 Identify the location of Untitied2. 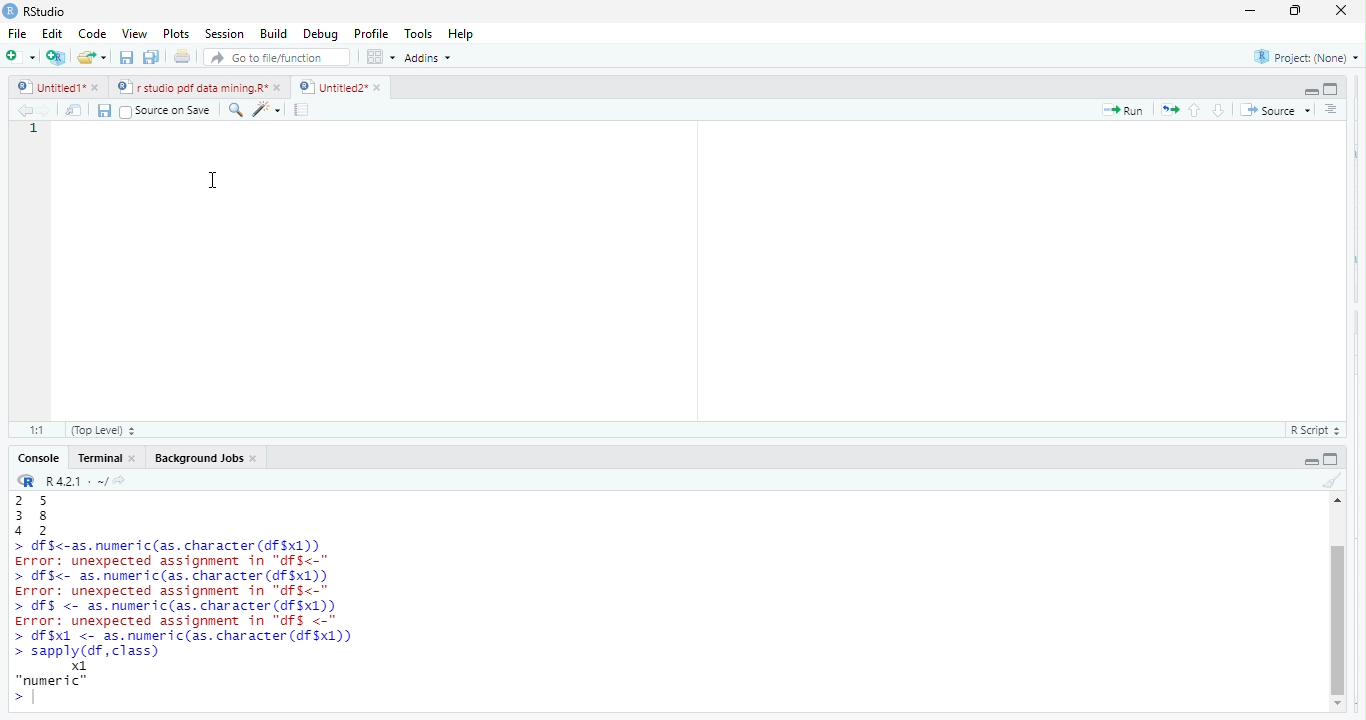
(330, 89).